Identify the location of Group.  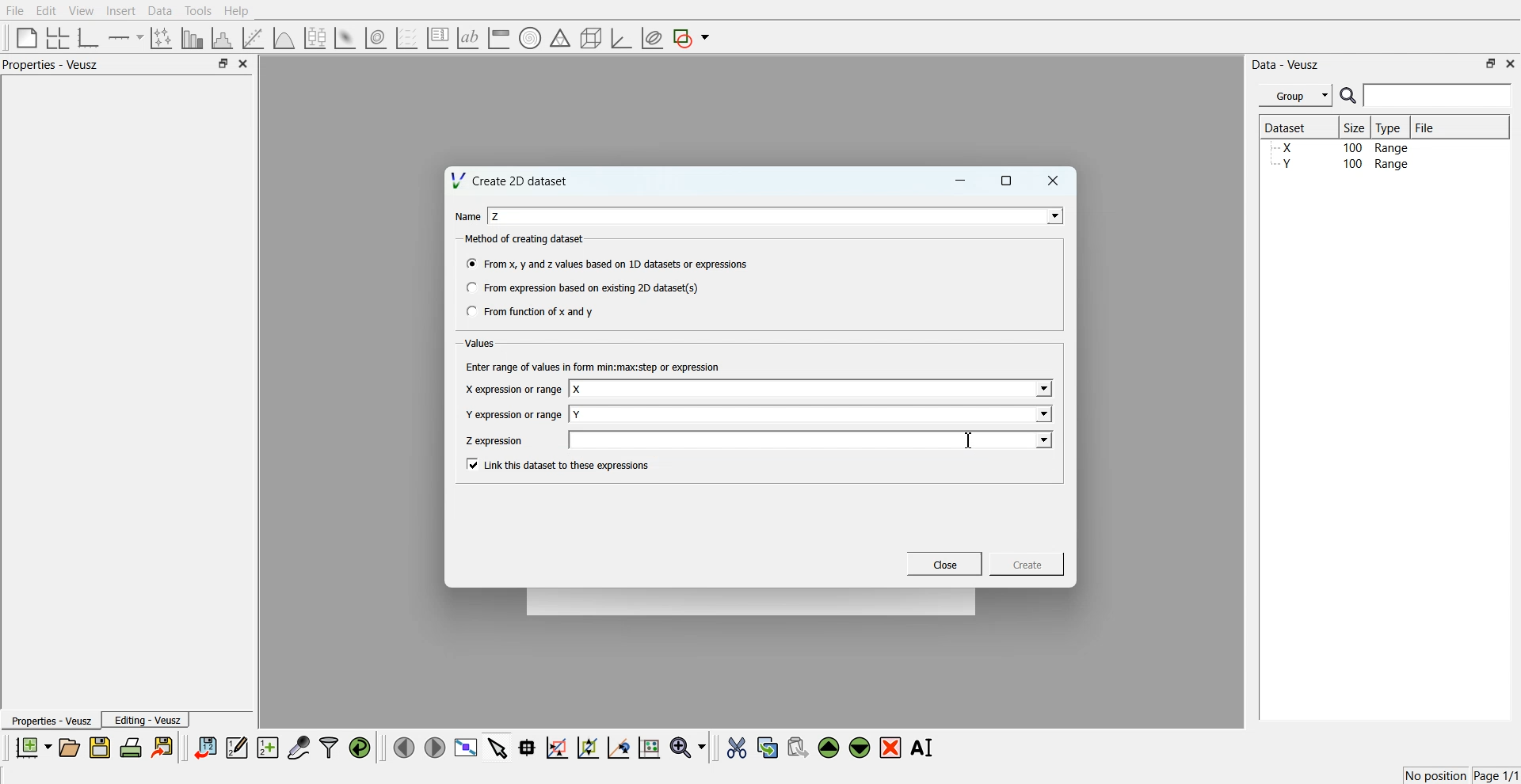
(1296, 96).